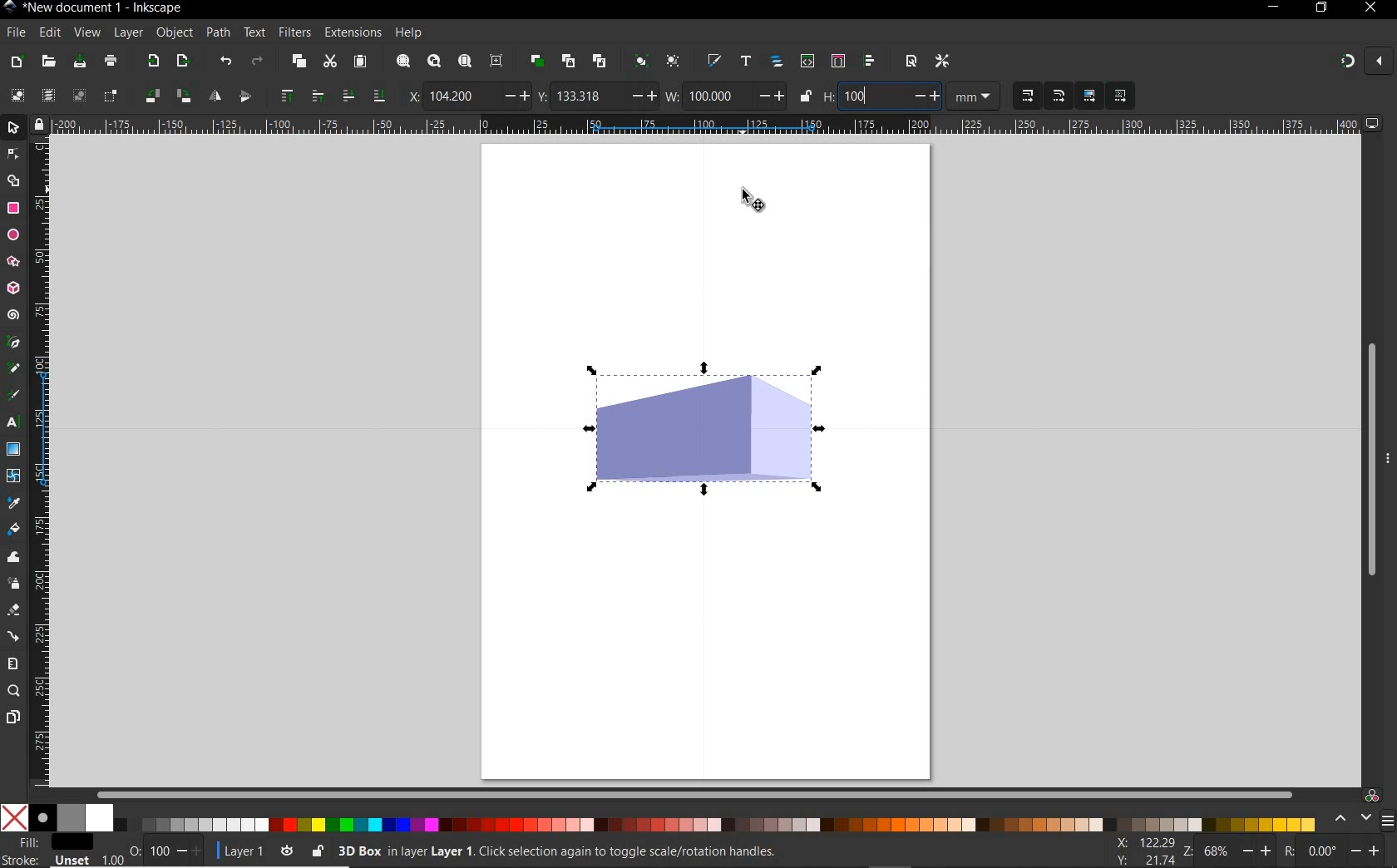 This screenshot has height=868, width=1397. I want to click on x, so click(409, 94).